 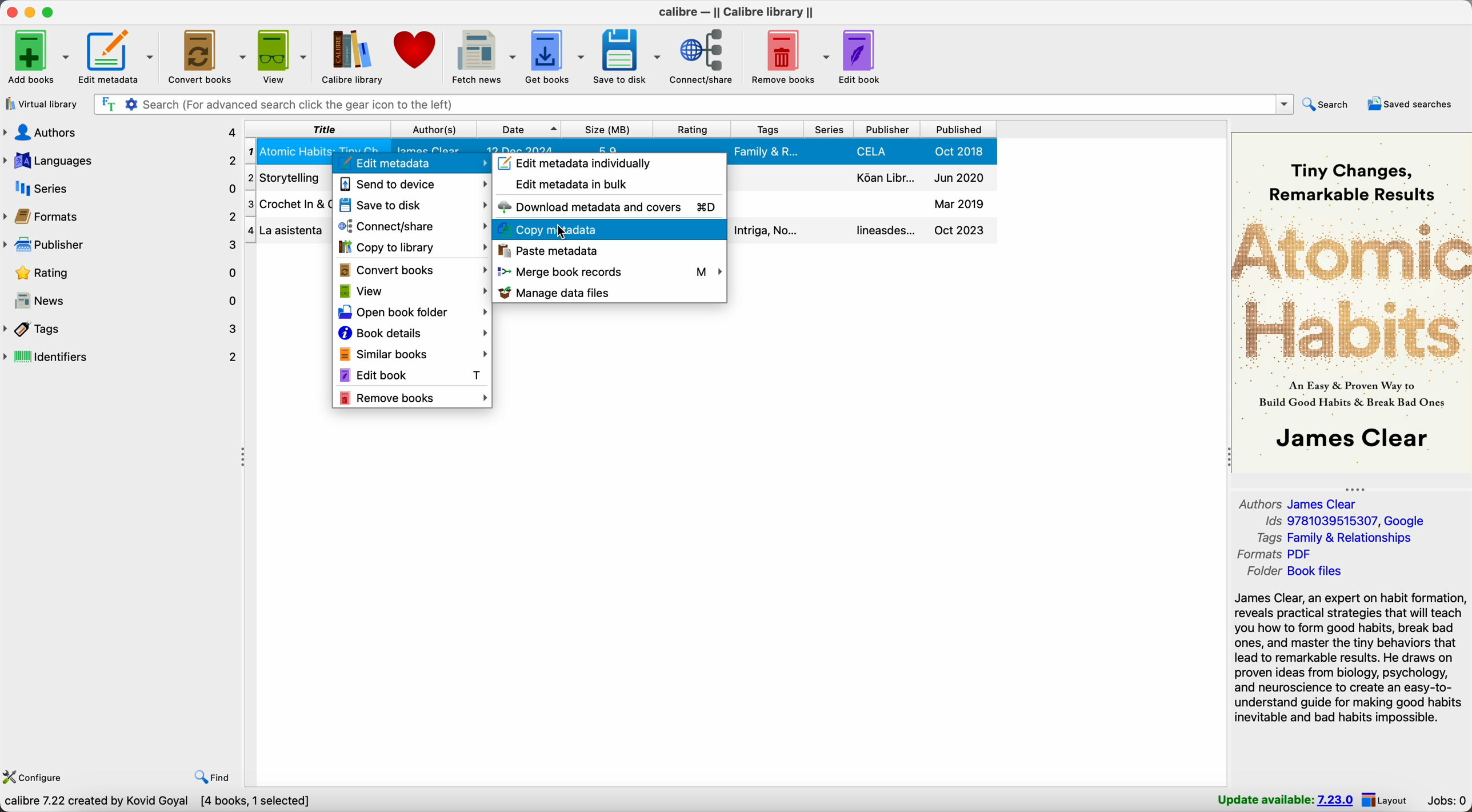 I want to click on Calibre, so click(x=738, y=12).